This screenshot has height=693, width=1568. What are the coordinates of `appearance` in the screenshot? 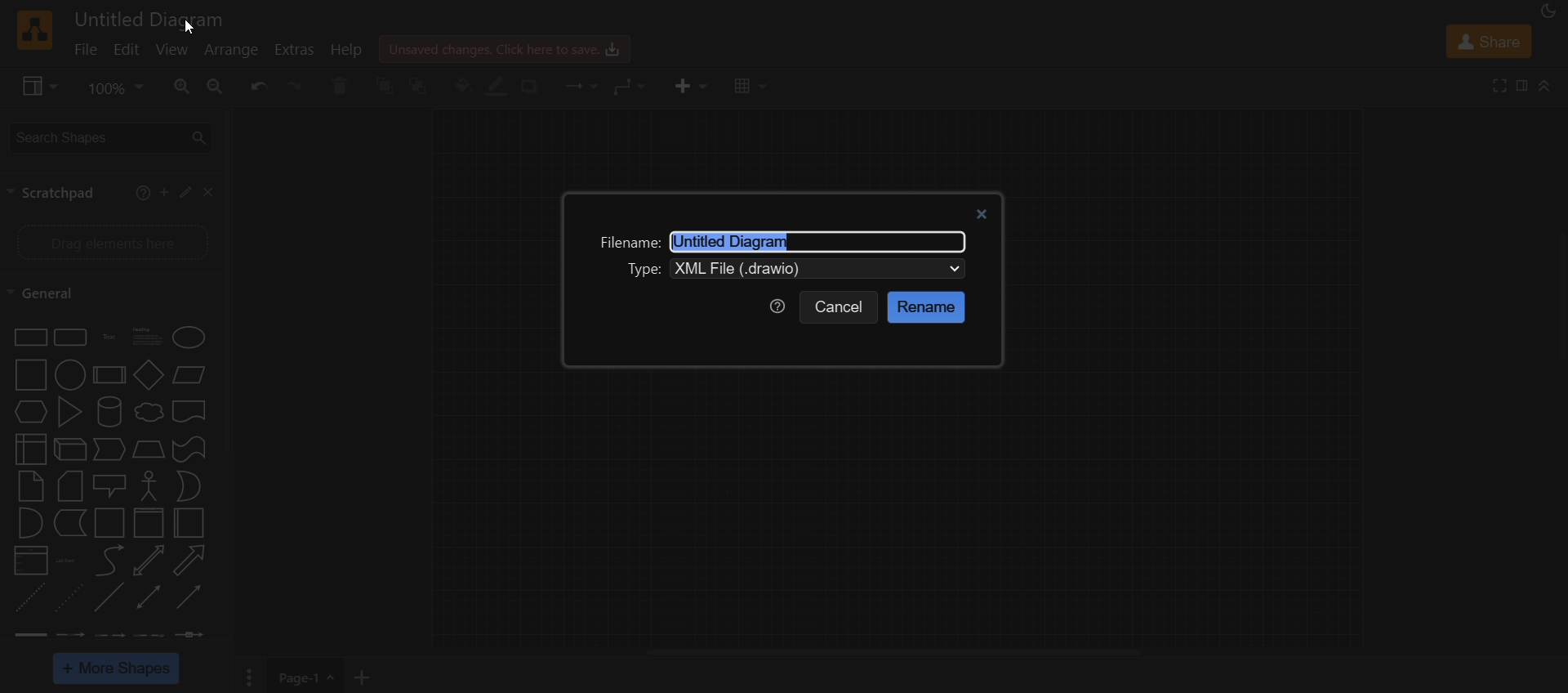 It's located at (1546, 12).